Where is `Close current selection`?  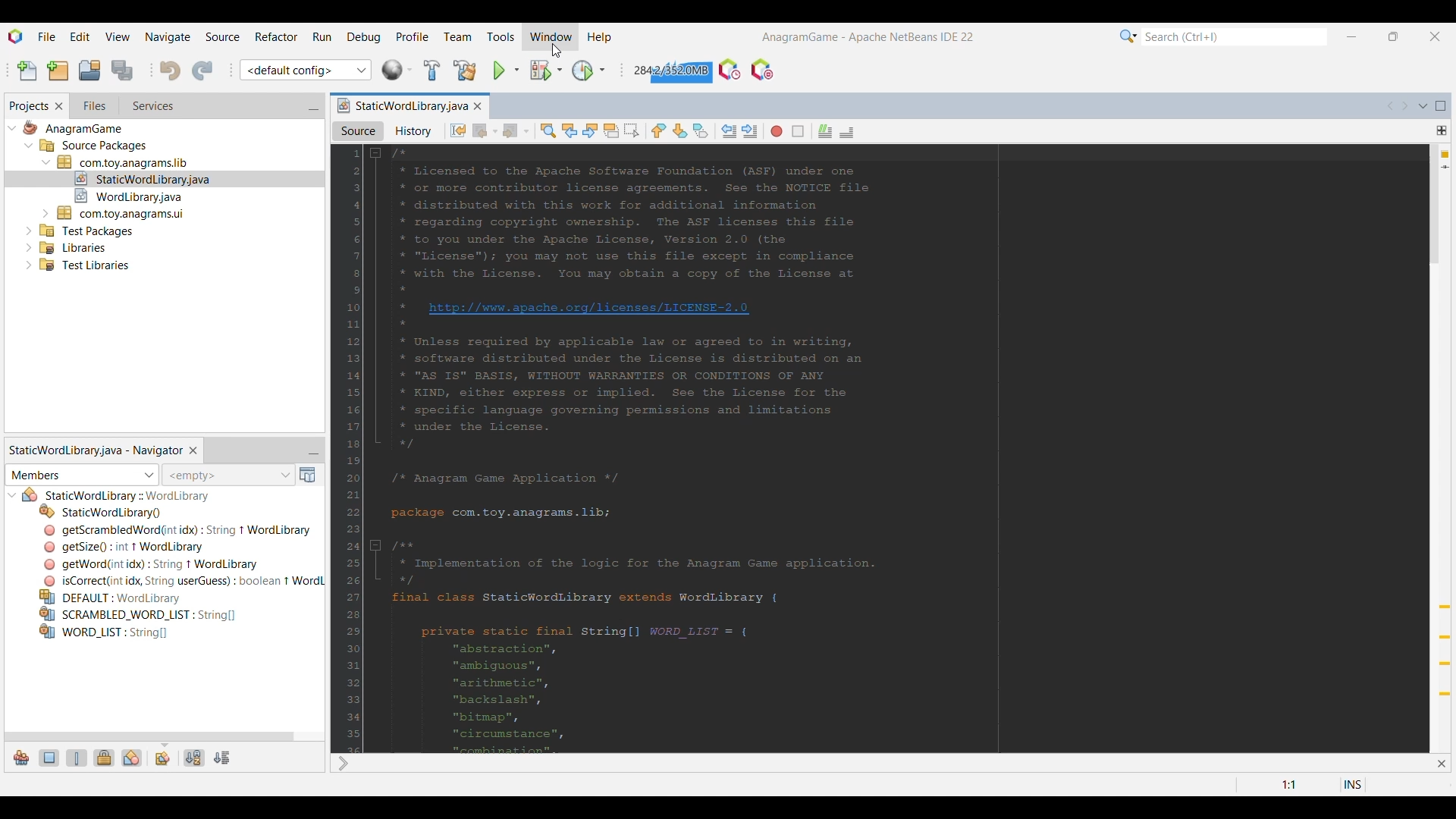
Close current selection is located at coordinates (193, 451).